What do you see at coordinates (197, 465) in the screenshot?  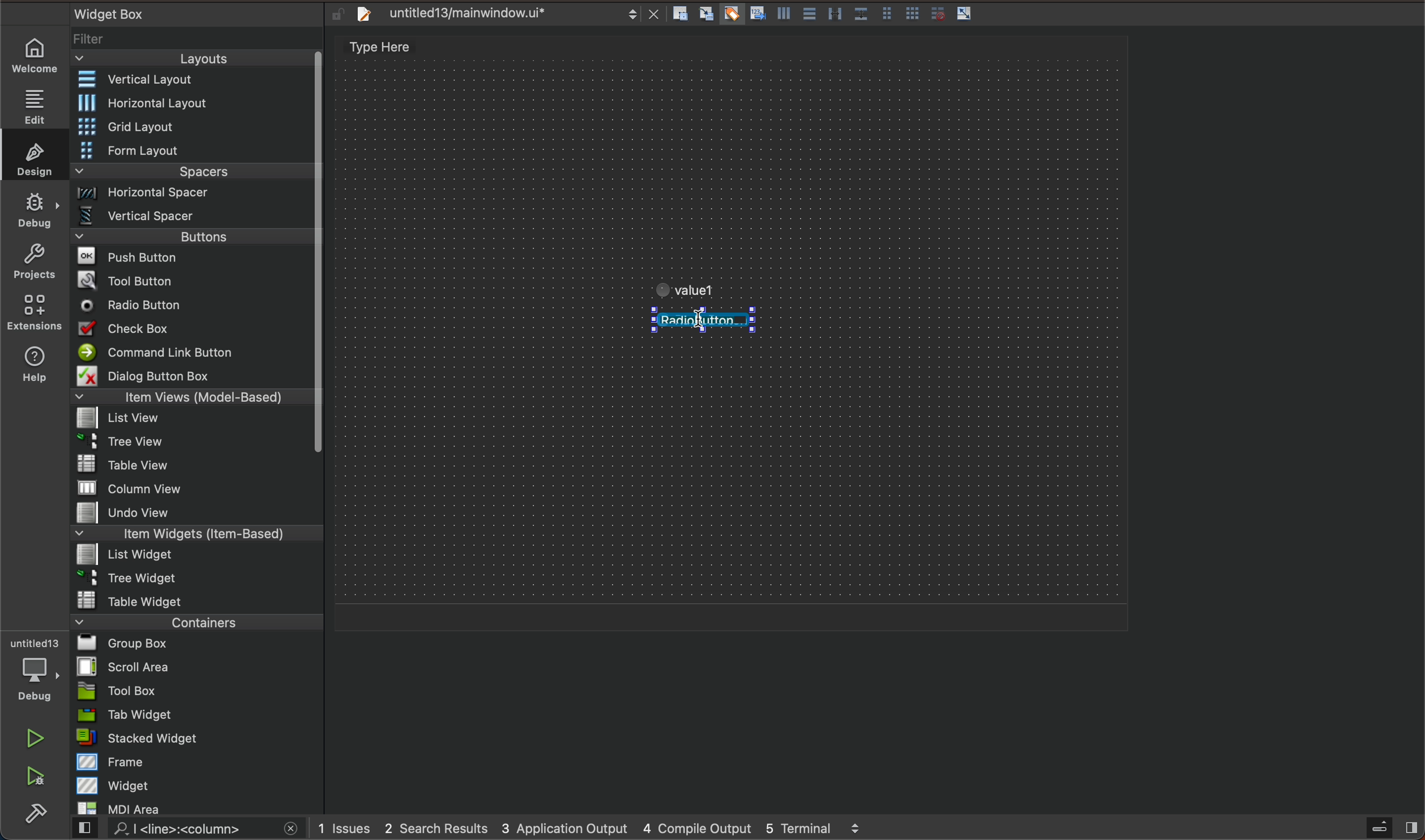 I see `table view` at bounding box center [197, 465].